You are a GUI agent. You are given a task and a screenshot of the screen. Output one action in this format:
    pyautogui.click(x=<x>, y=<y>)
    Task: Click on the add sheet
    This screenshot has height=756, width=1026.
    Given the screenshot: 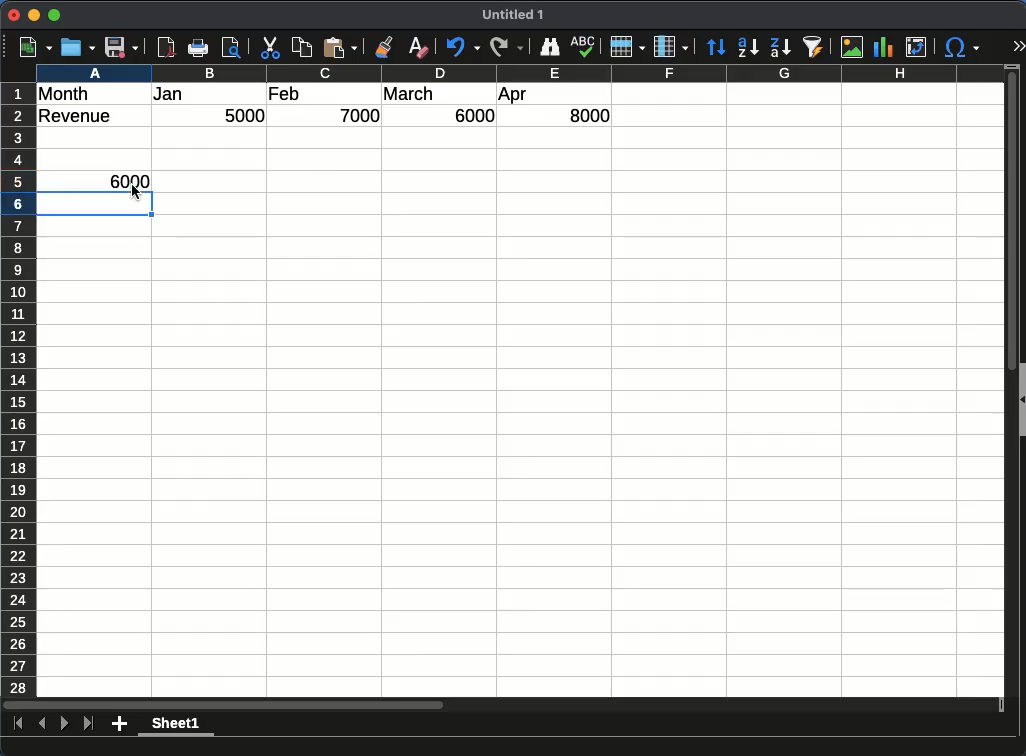 What is the action you would take?
    pyautogui.click(x=119, y=724)
    